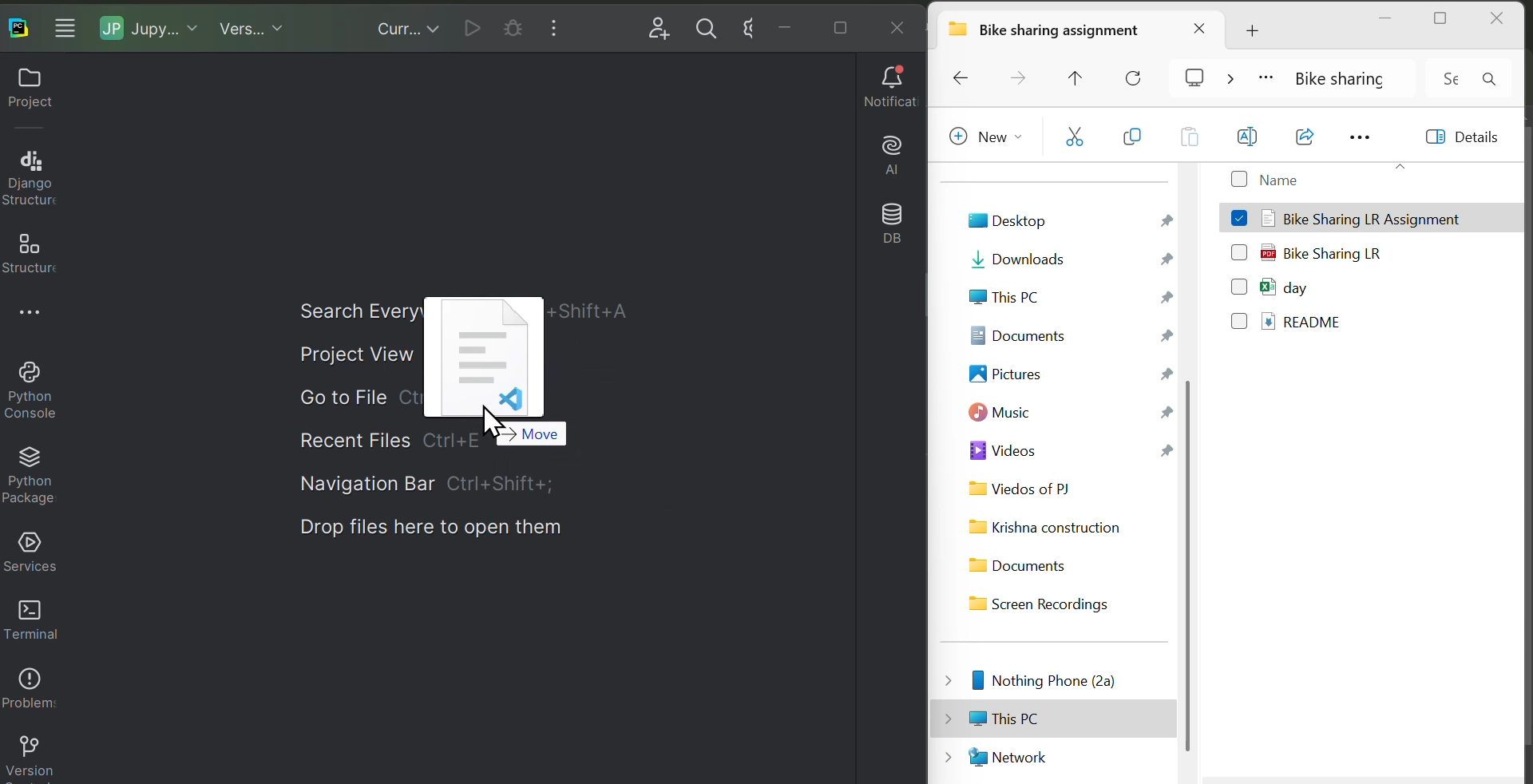  I want to click on Project, so click(33, 92).